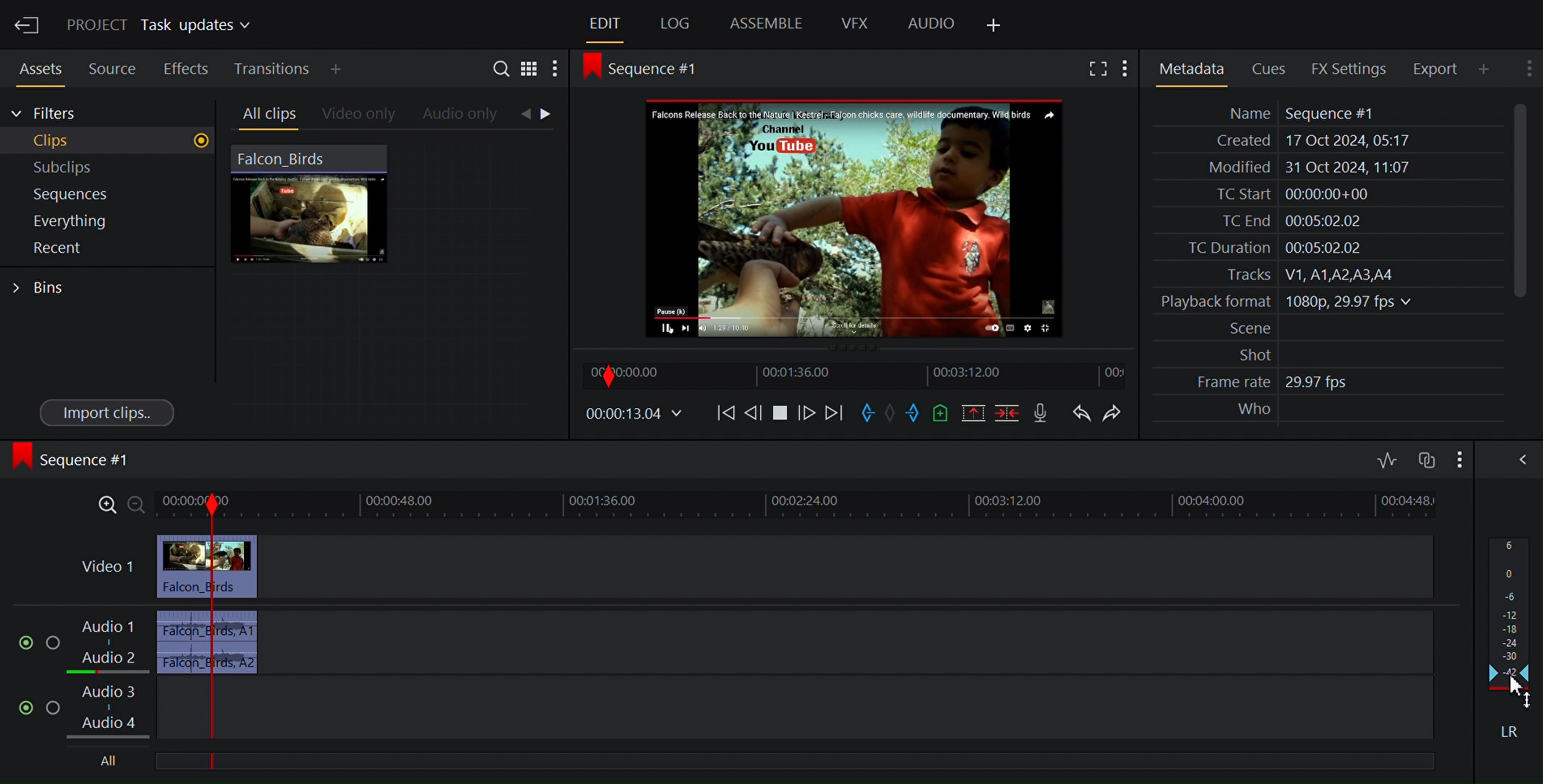 This screenshot has height=784, width=1543. Describe the element at coordinates (831, 413) in the screenshot. I see `Move Forward` at that location.